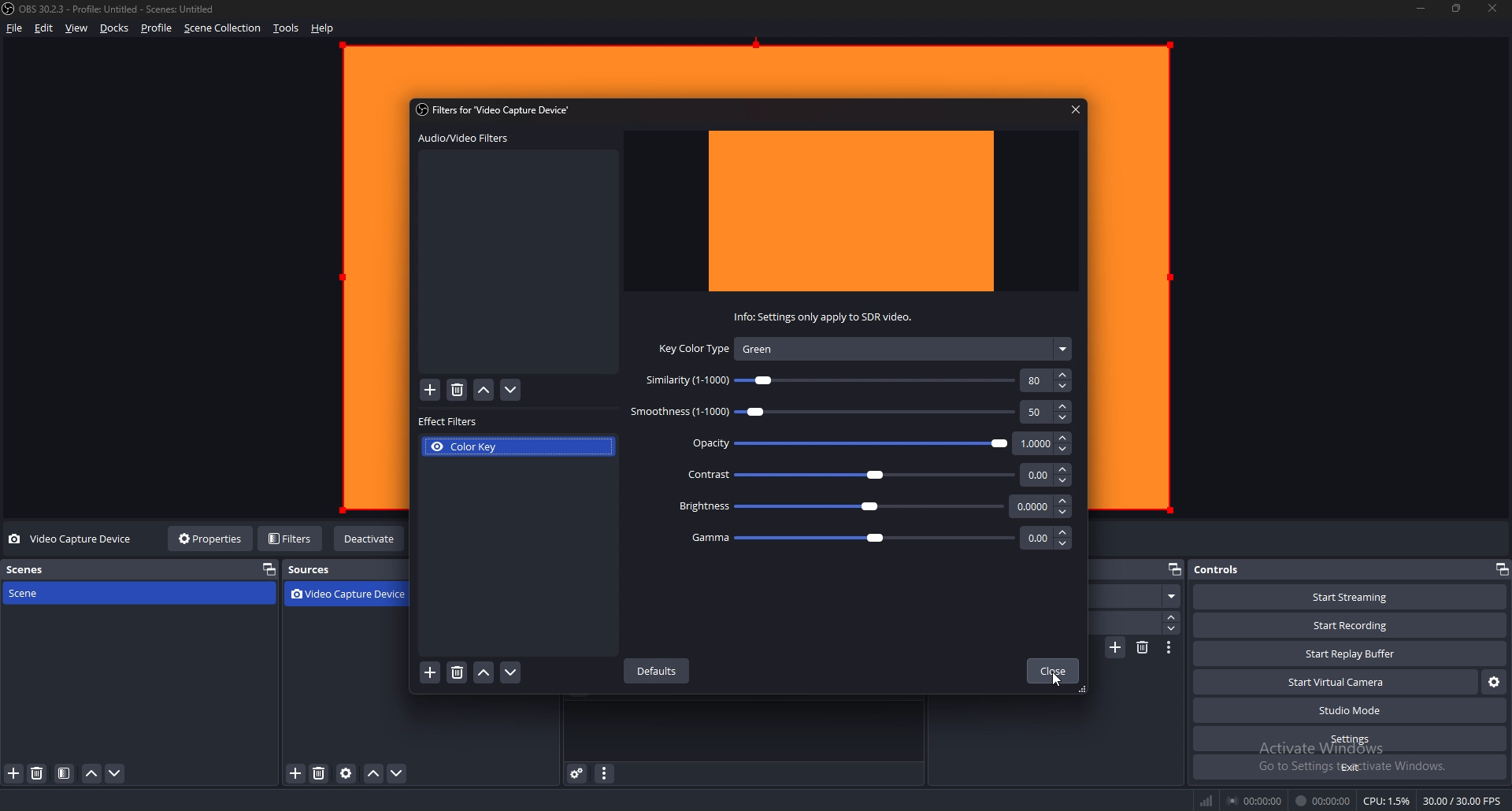 The image size is (1512, 811). What do you see at coordinates (1209, 800) in the screenshot?
I see `network` at bounding box center [1209, 800].